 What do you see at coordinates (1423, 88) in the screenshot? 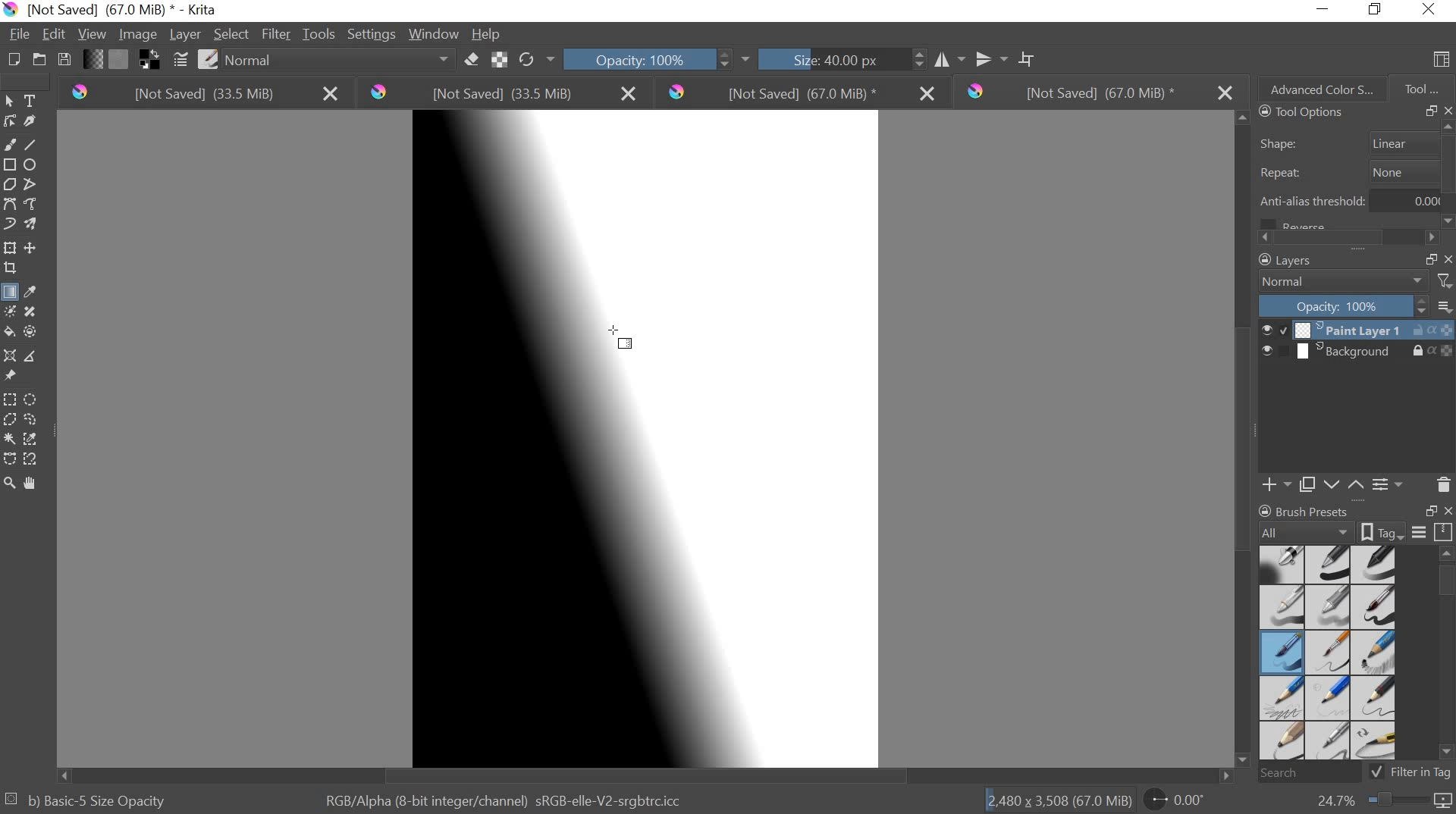
I see `TOOL` at bounding box center [1423, 88].